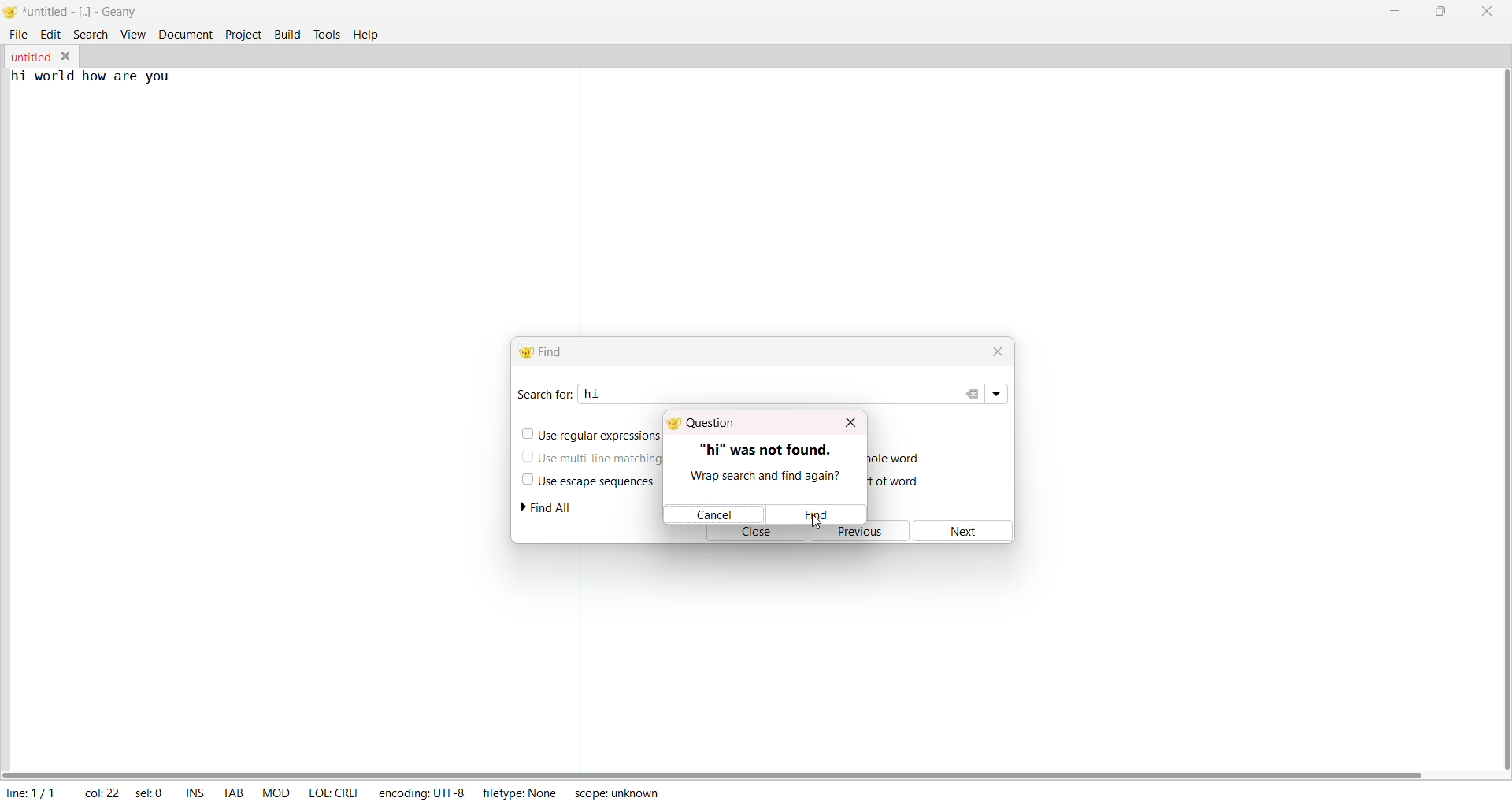  What do you see at coordinates (1495, 422) in the screenshot?
I see `vertical scroll bar` at bounding box center [1495, 422].